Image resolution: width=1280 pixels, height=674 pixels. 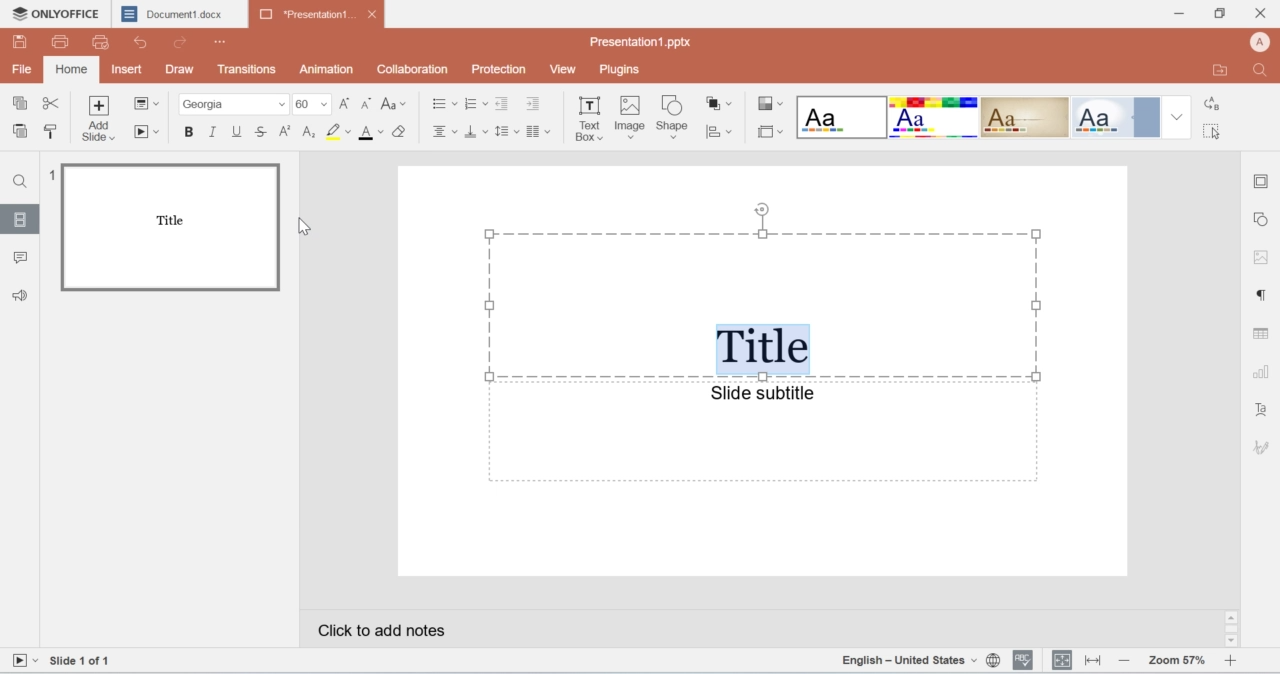 What do you see at coordinates (443, 132) in the screenshot?
I see `alignment` at bounding box center [443, 132].